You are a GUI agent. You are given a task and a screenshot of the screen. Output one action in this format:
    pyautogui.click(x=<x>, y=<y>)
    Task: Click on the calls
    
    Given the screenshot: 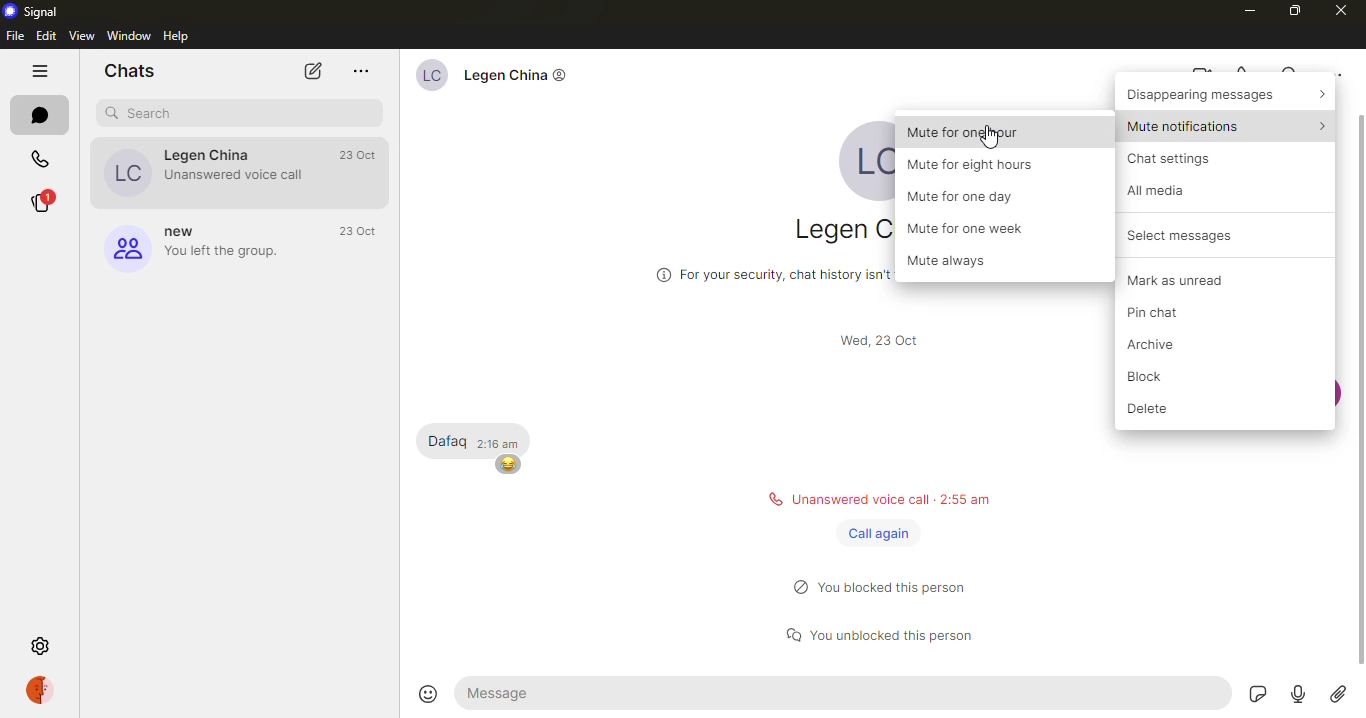 What is the action you would take?
    pyautogui.click(x=40, y=160)
    